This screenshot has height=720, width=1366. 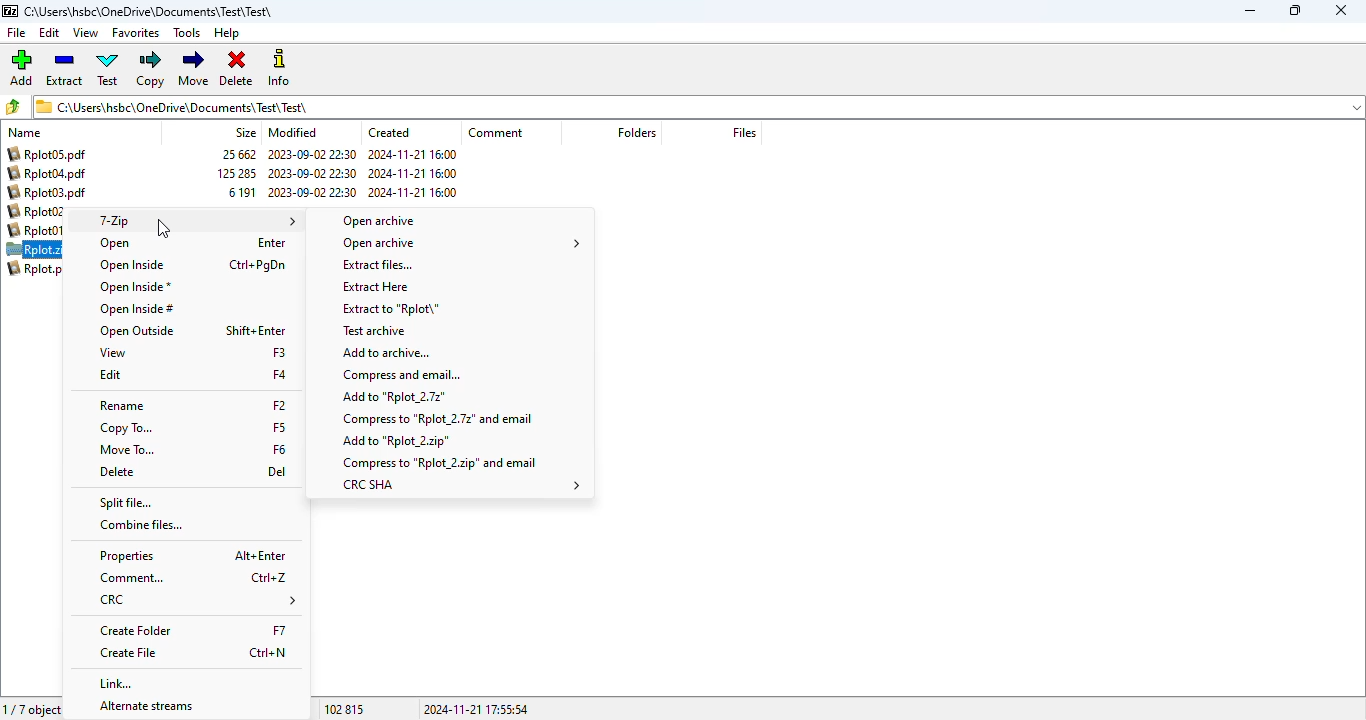 What do you see at coordinates (242, 193) in the screenshot?
I see `6 191` at bounding box center [242, 193].